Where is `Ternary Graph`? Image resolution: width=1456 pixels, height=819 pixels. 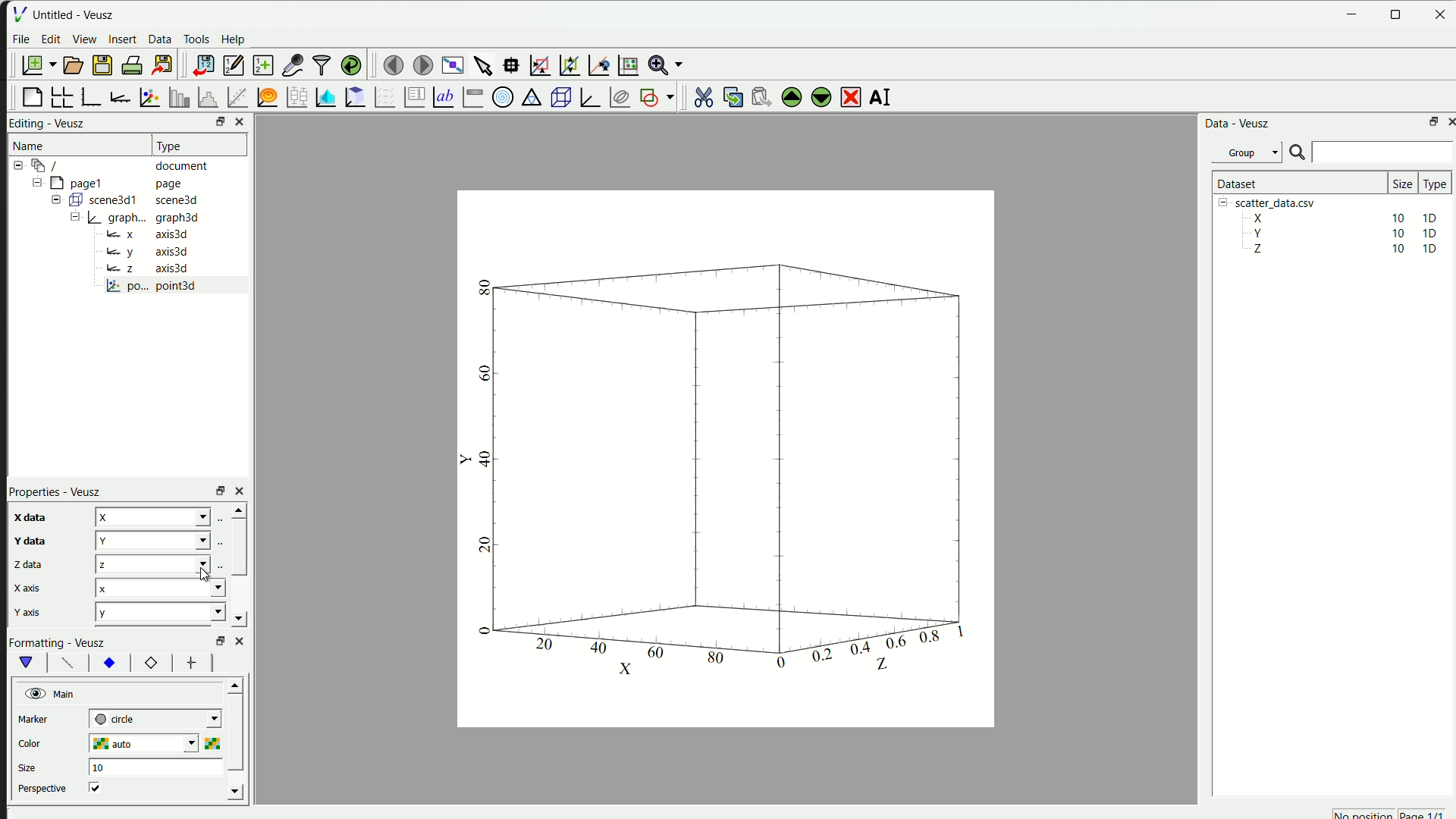
Ternary Graph is located at coordinates (529, 97).